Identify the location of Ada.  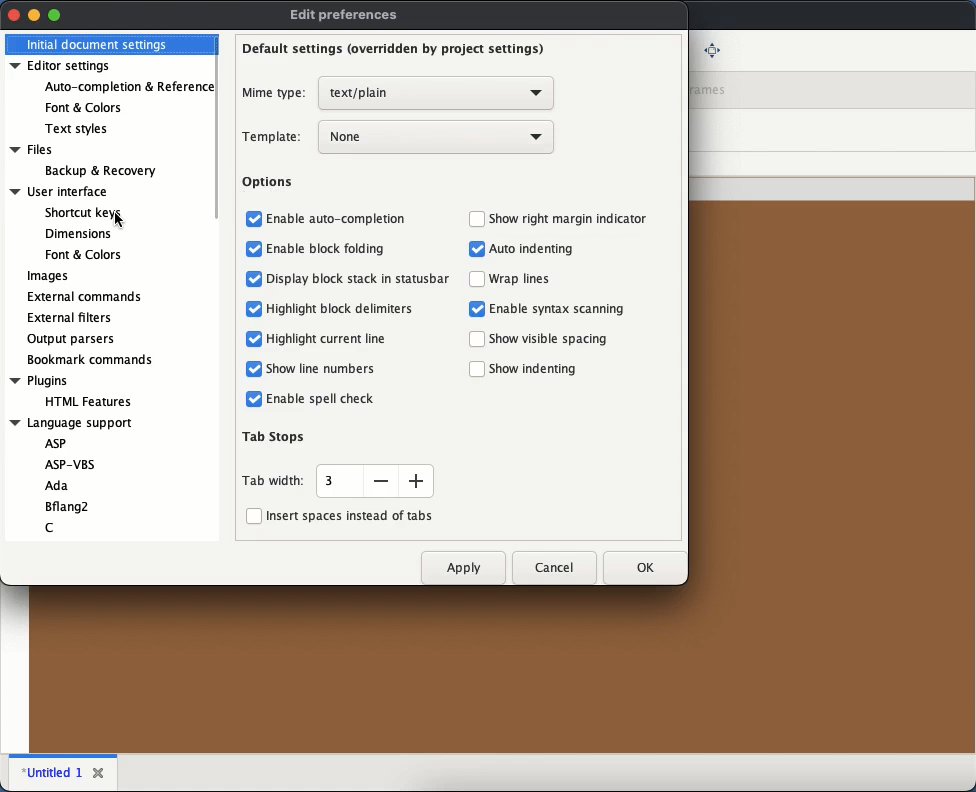
(59, 485).